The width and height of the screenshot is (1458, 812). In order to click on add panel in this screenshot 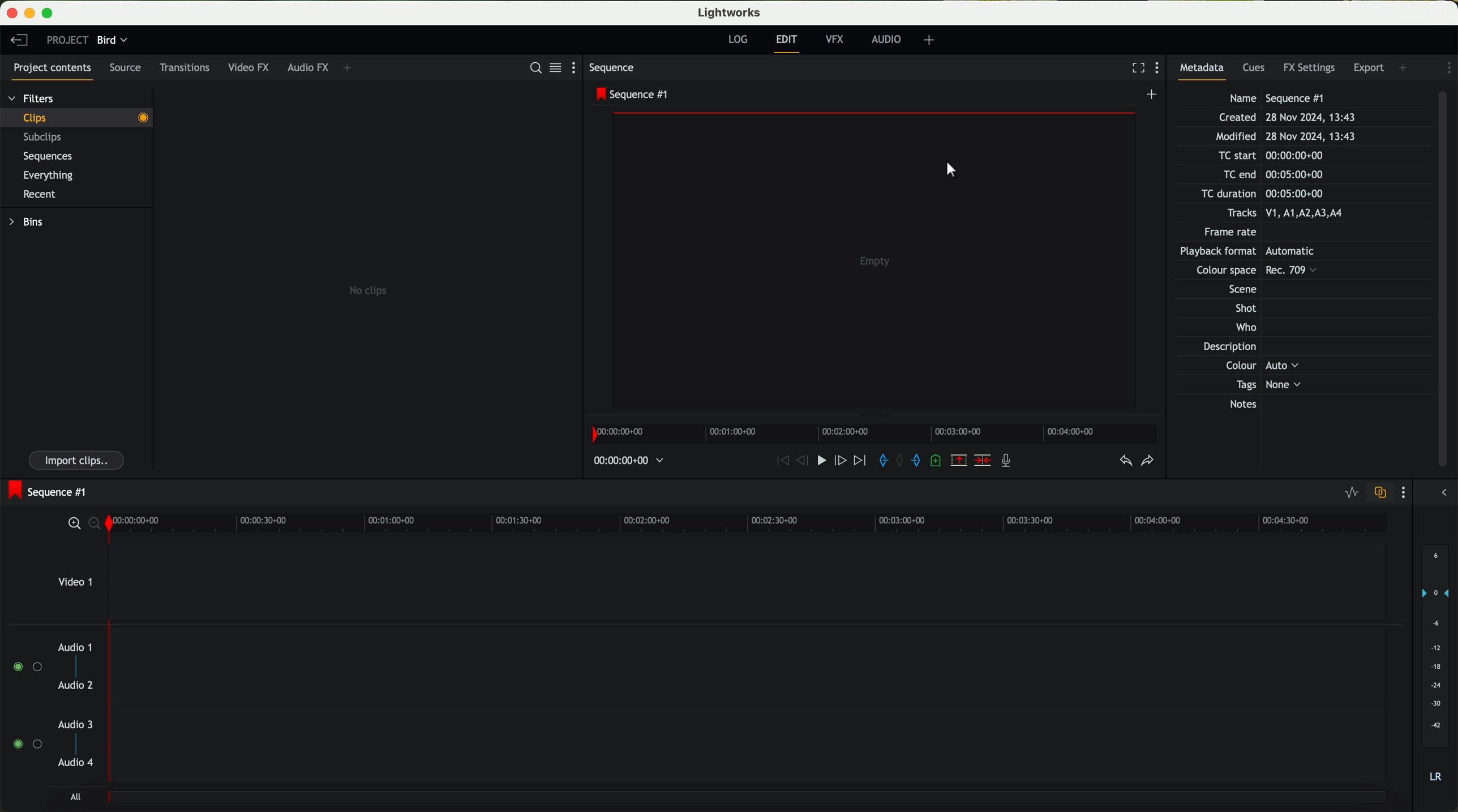, I will do `click(354, 67)`.